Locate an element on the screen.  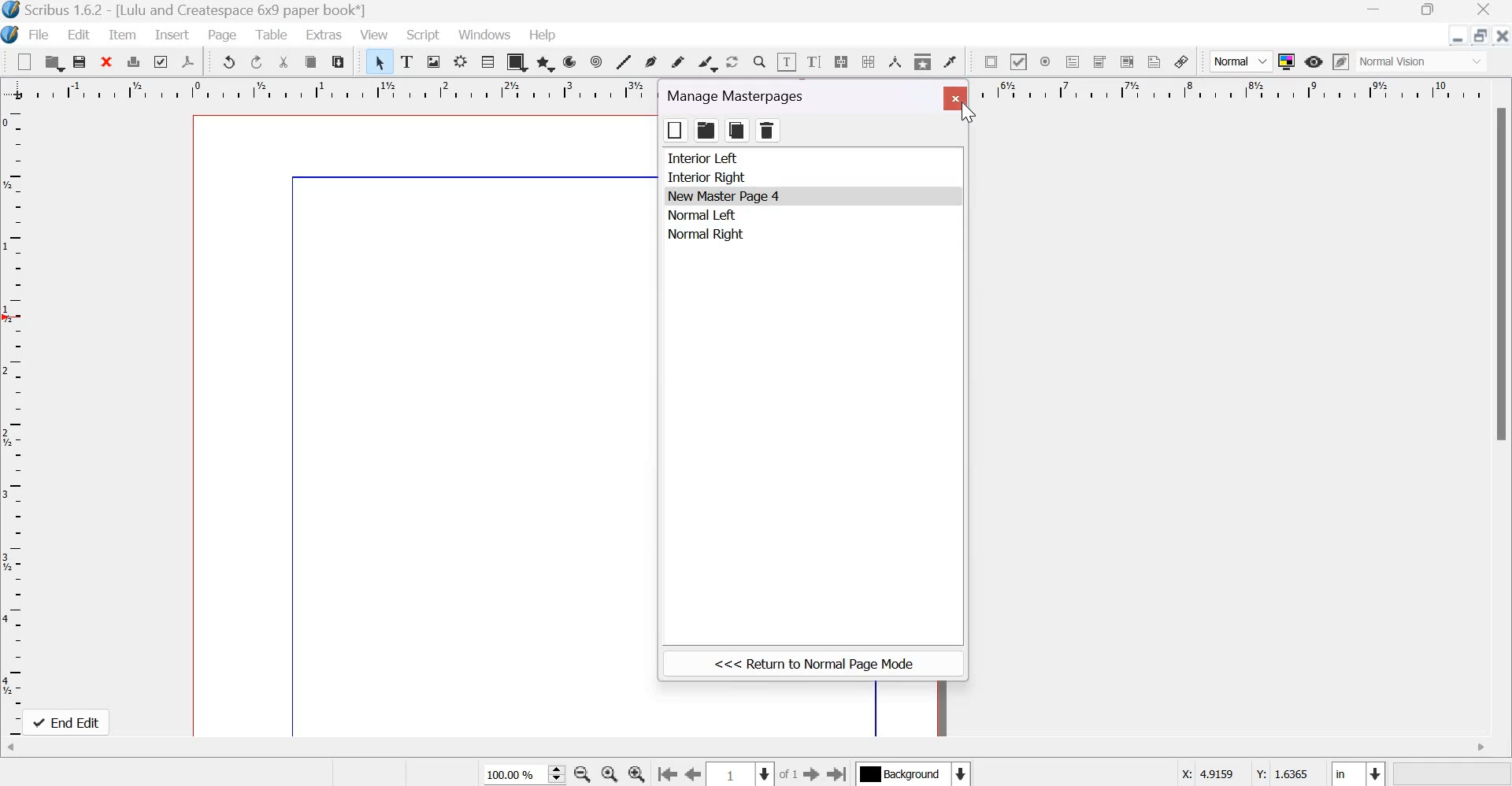
Go to the previous page is located at coordinates (690, 773).